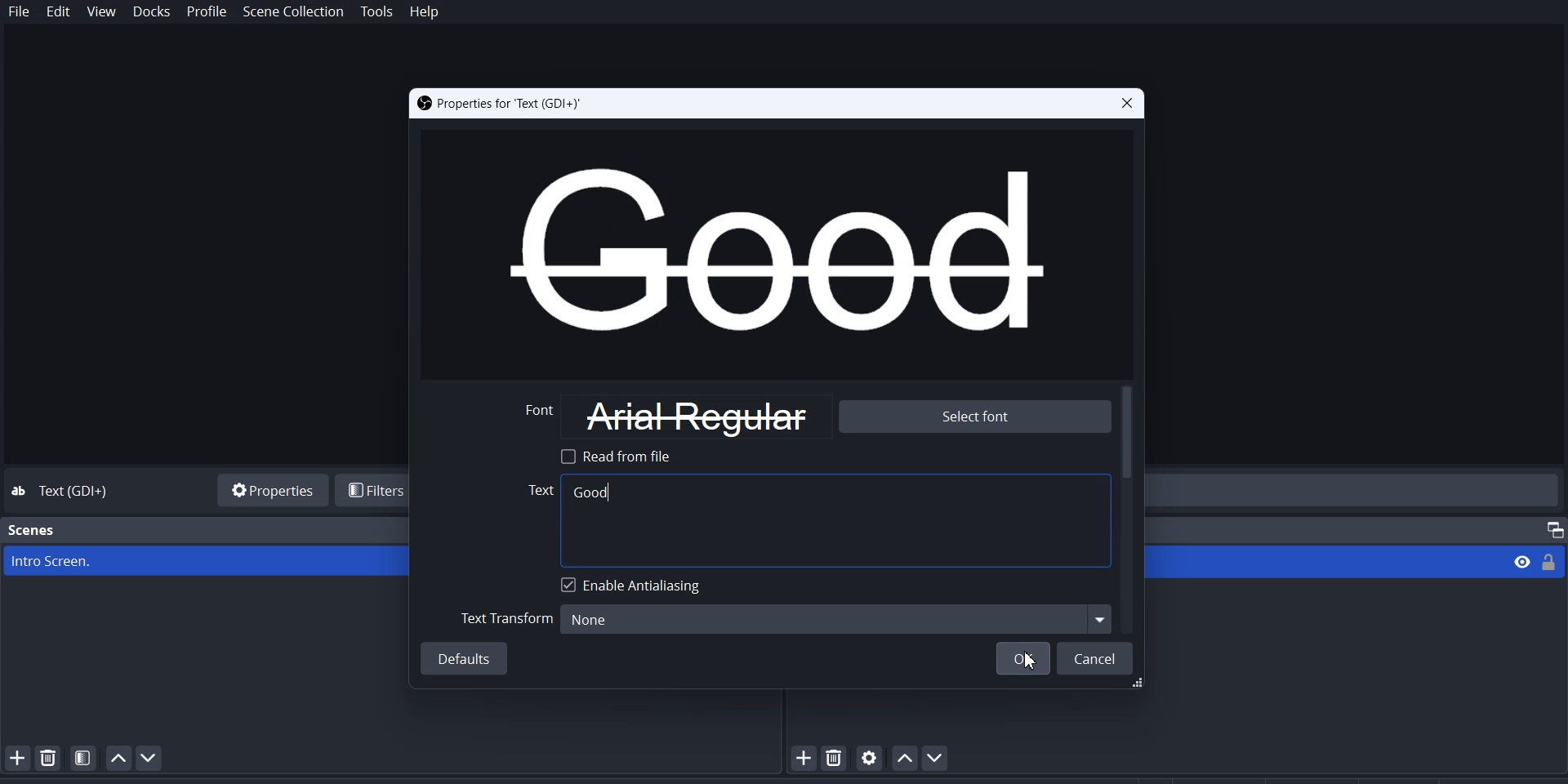 The width and height of the screenshot is (1568, 784). Describe the element at coordinates (1125, 104) in the screenshot. I see `Close` at that location.